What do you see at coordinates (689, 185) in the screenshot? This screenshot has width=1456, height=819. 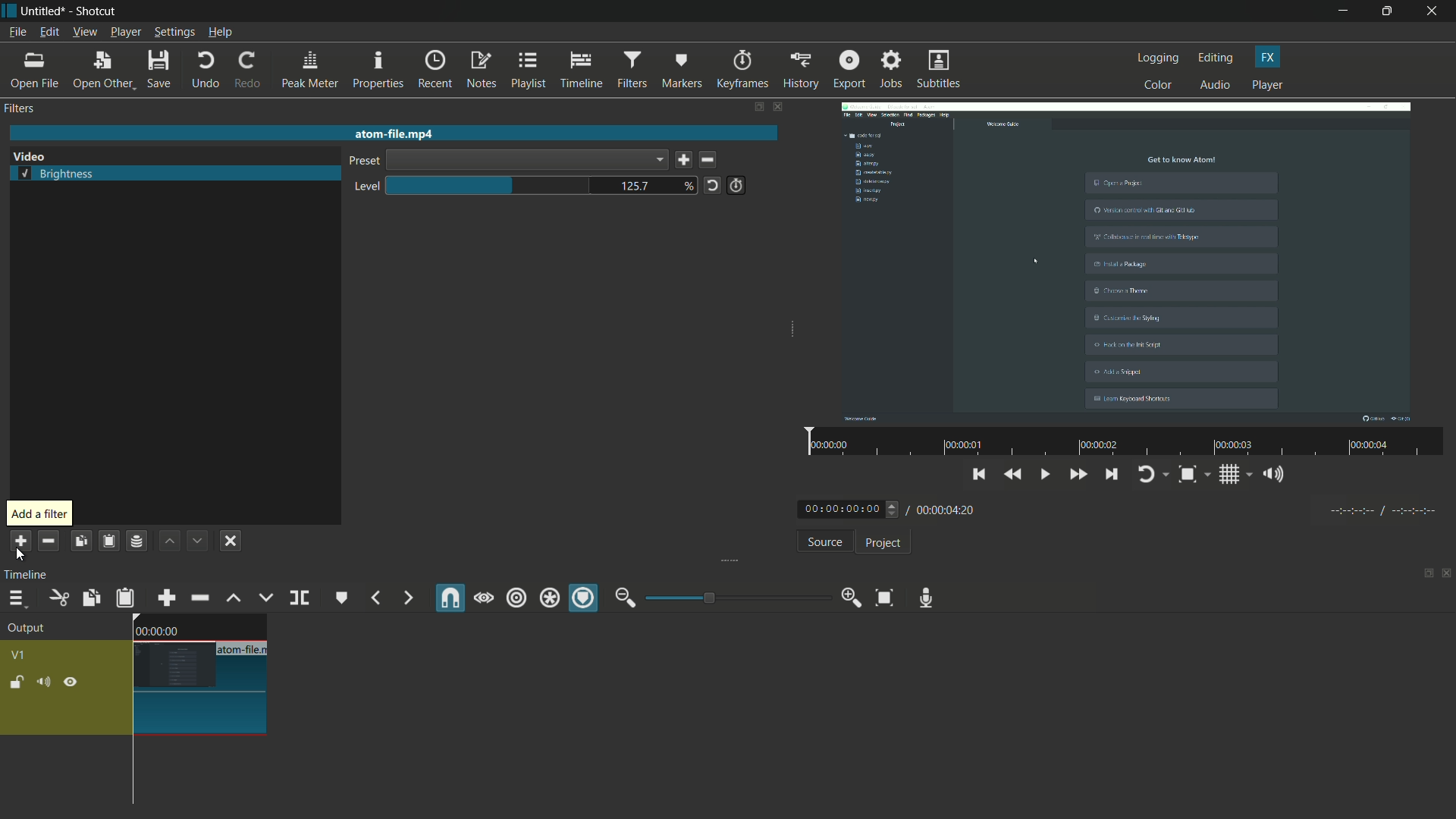 I see `%` at bounding box center [689, 185].